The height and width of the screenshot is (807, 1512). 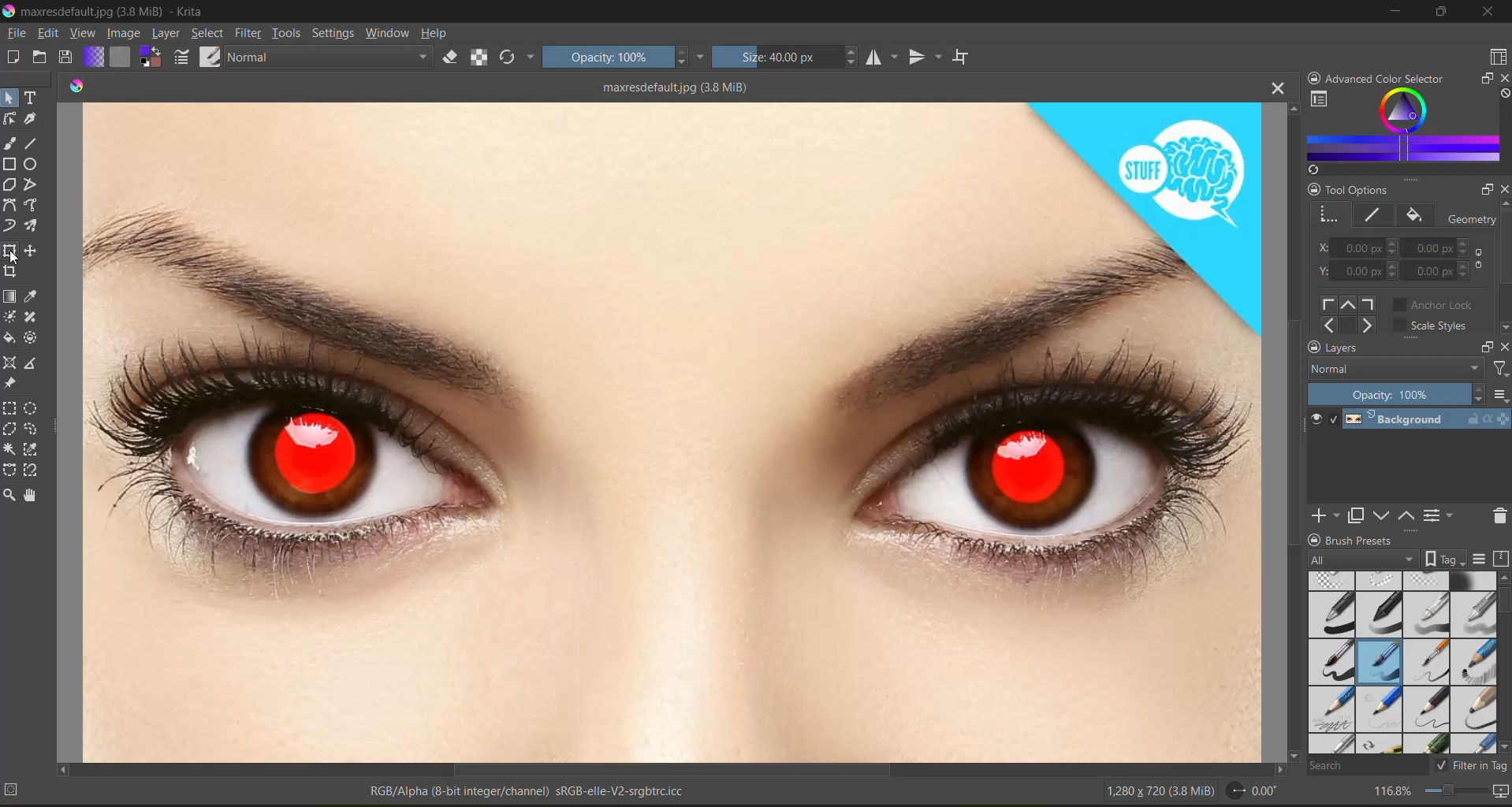 I want to click on float docker, so click(x=1482, y=80).